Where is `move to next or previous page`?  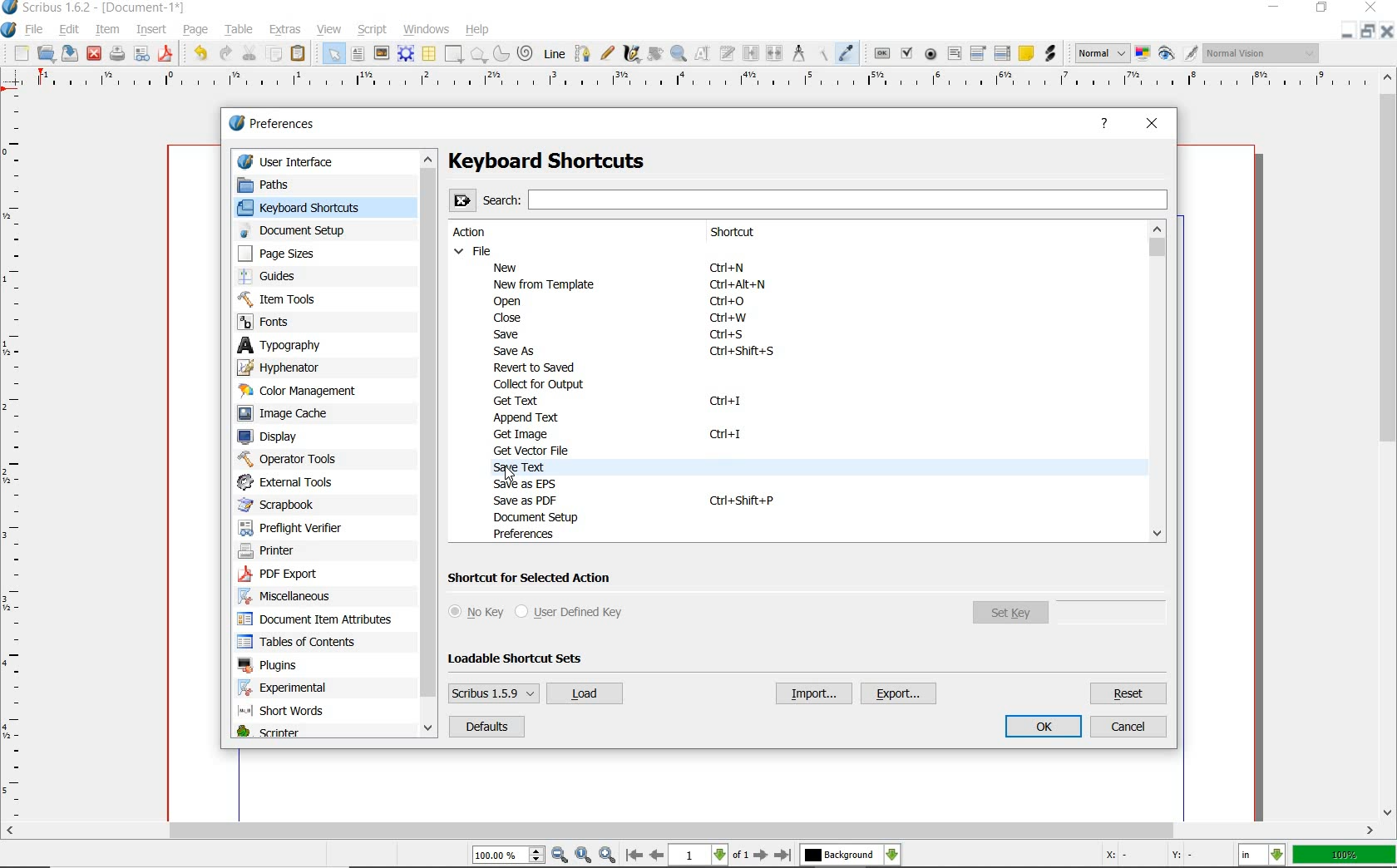 move to next or previous page is located at coordinates (708, 856).